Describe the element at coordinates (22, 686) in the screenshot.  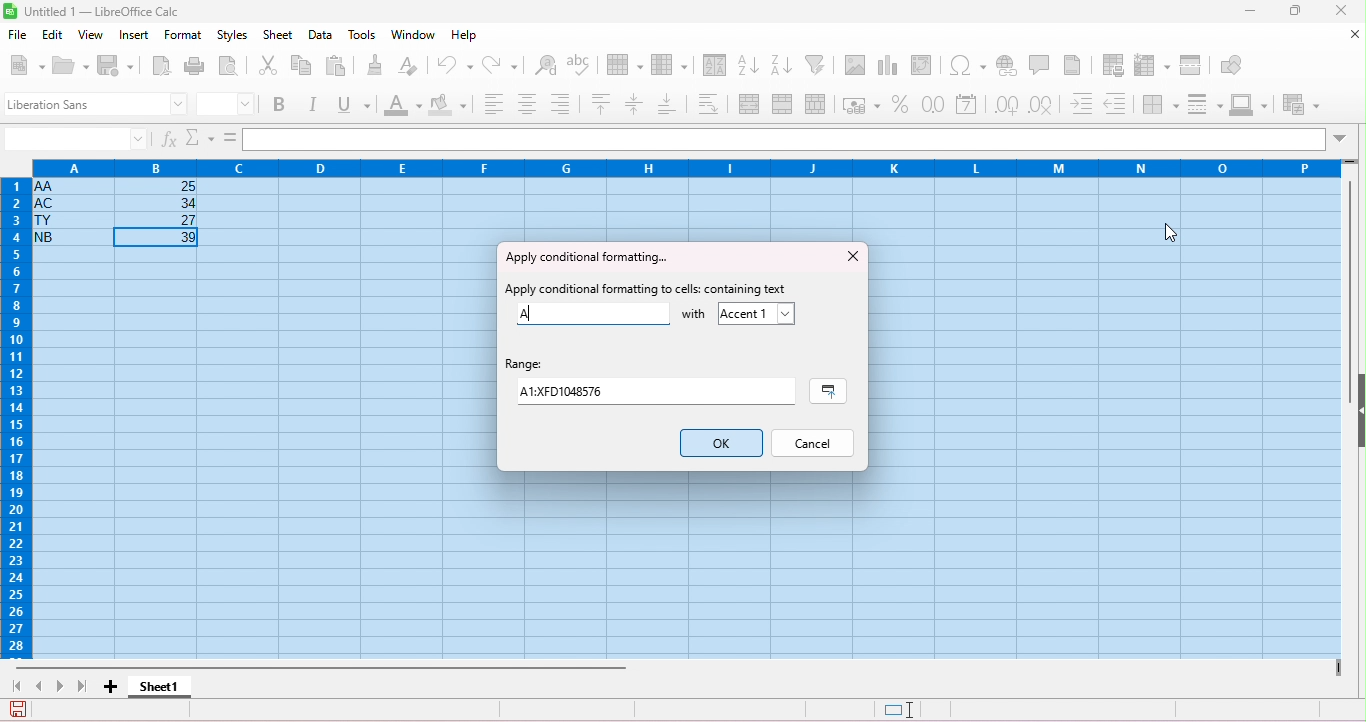
I see `first sheet` at that location.